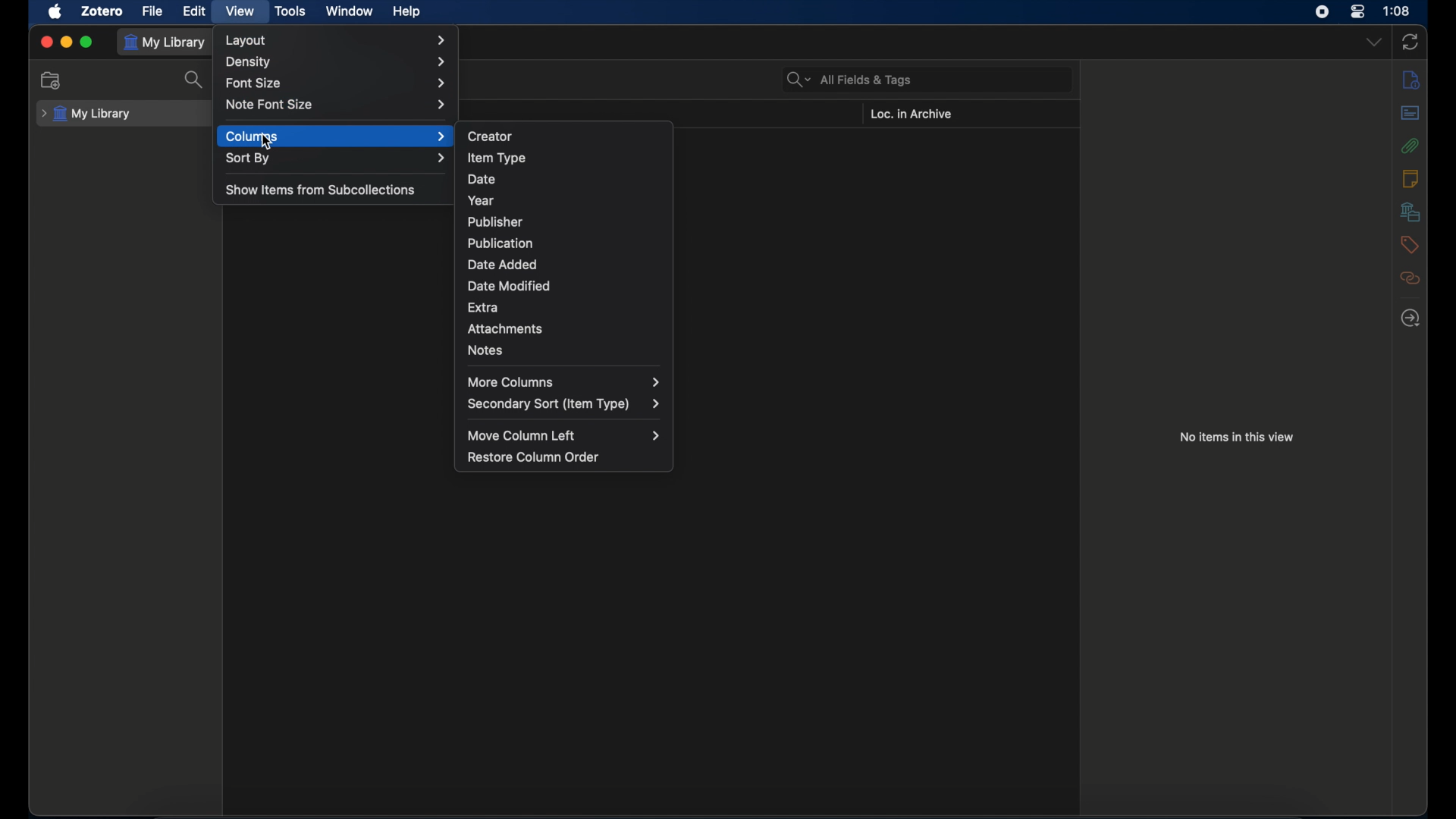  What do you see at coordinates (1411, 80) in the screenshot?
I see `info` at bounding box center [1411, 80].